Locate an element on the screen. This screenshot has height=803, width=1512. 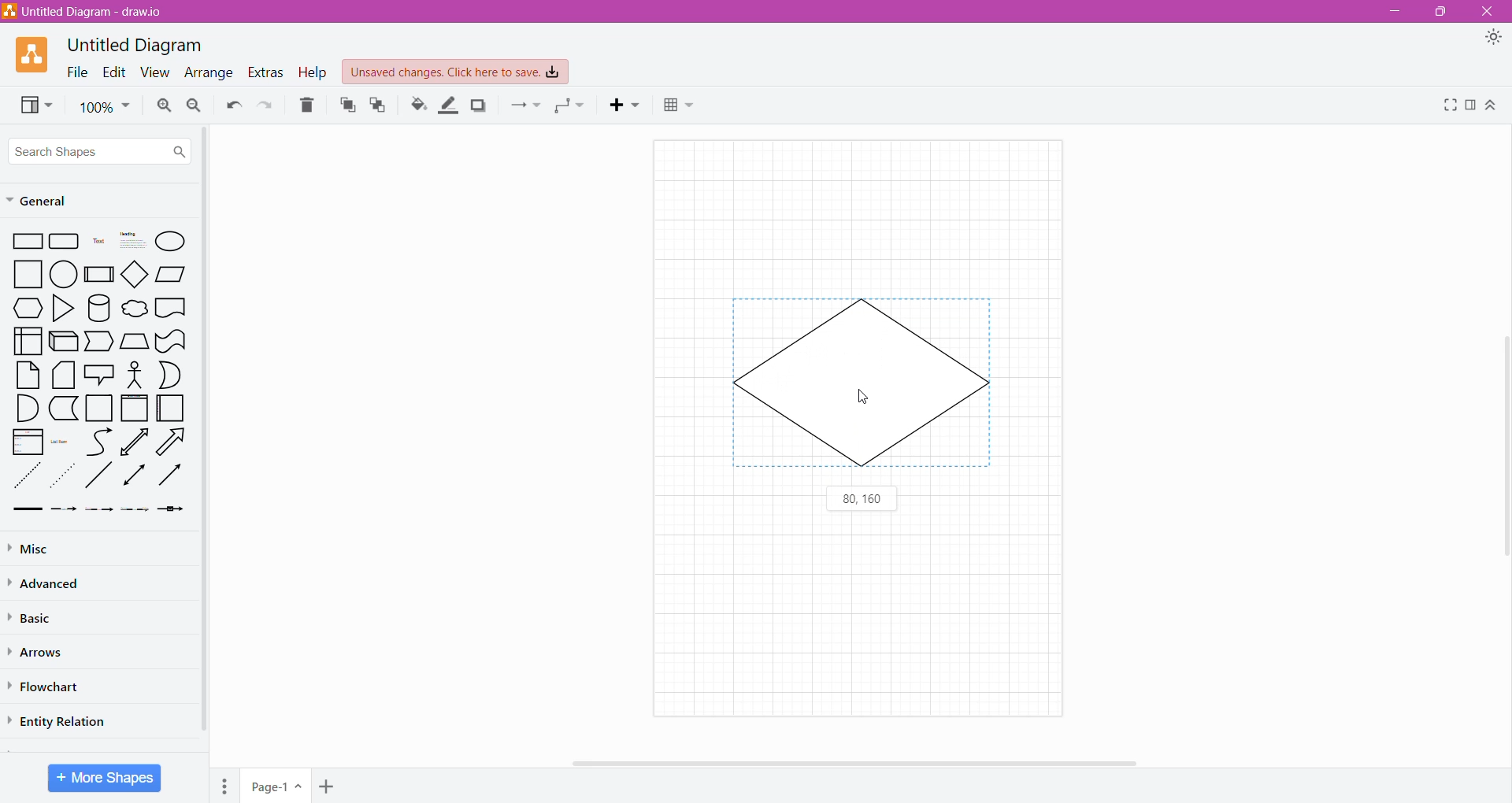
Zoom Out is located at coordinates (194, 106).